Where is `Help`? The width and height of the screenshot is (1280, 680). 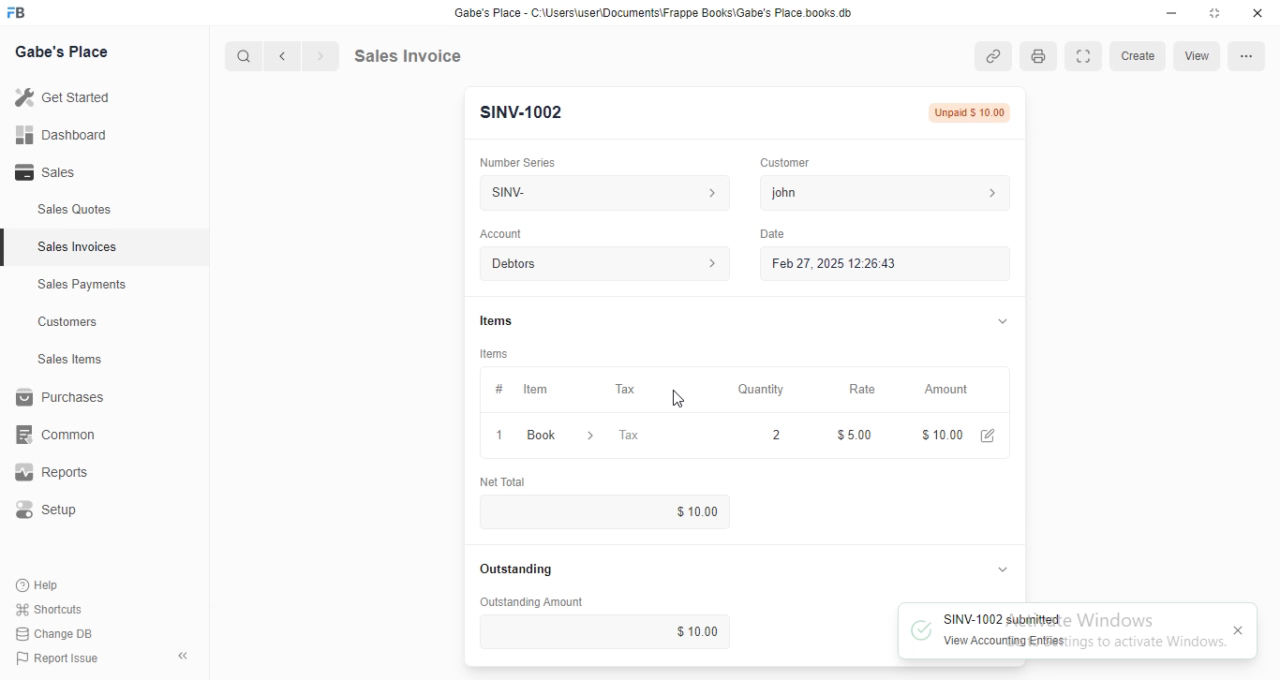 Help is located at coordinates (44, 585).